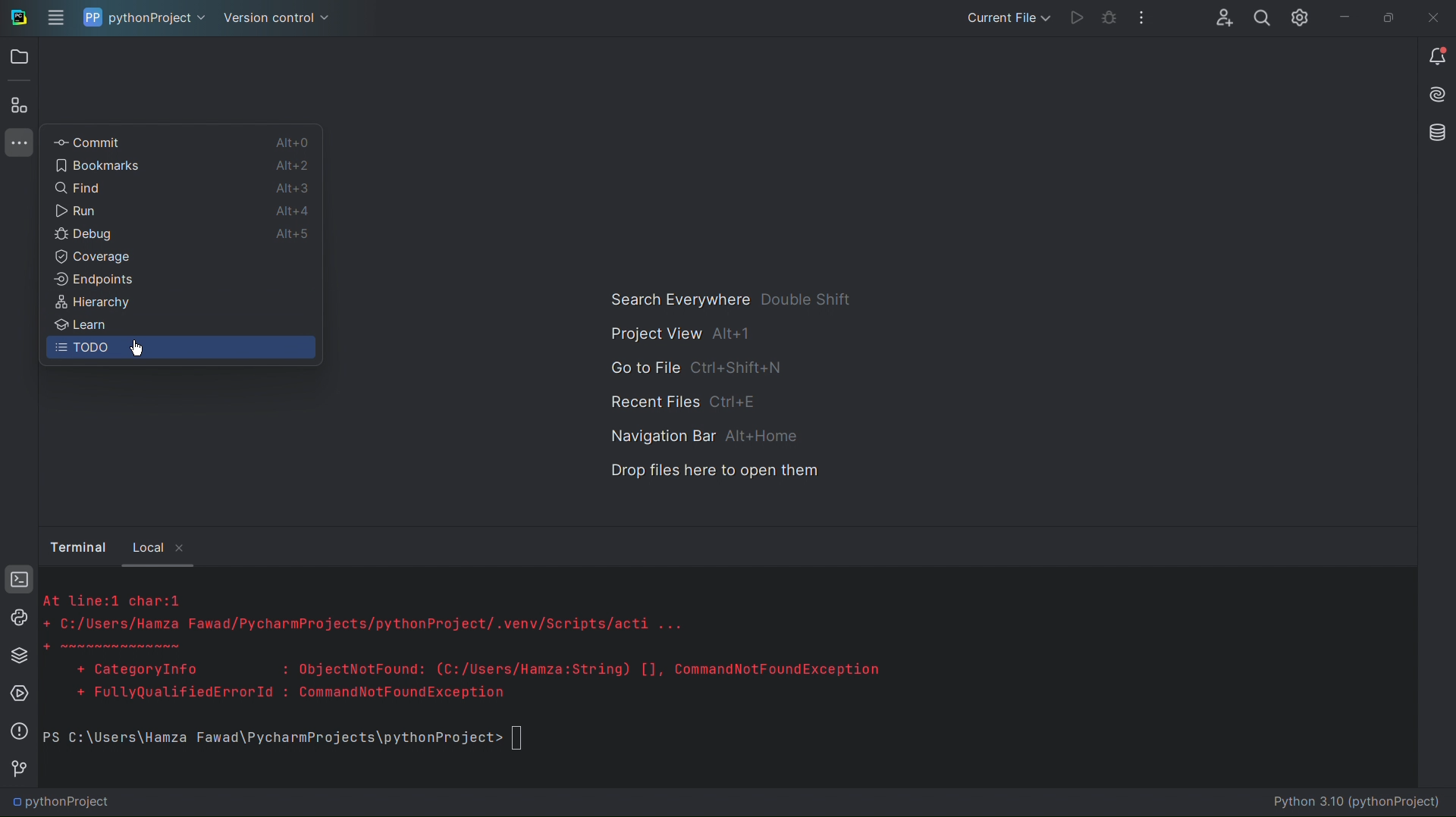 The height and width of the screenshot is (817, 1456). Describe the element at coordinates (682, 333) in the screenshot. I see `Project View` at that location.